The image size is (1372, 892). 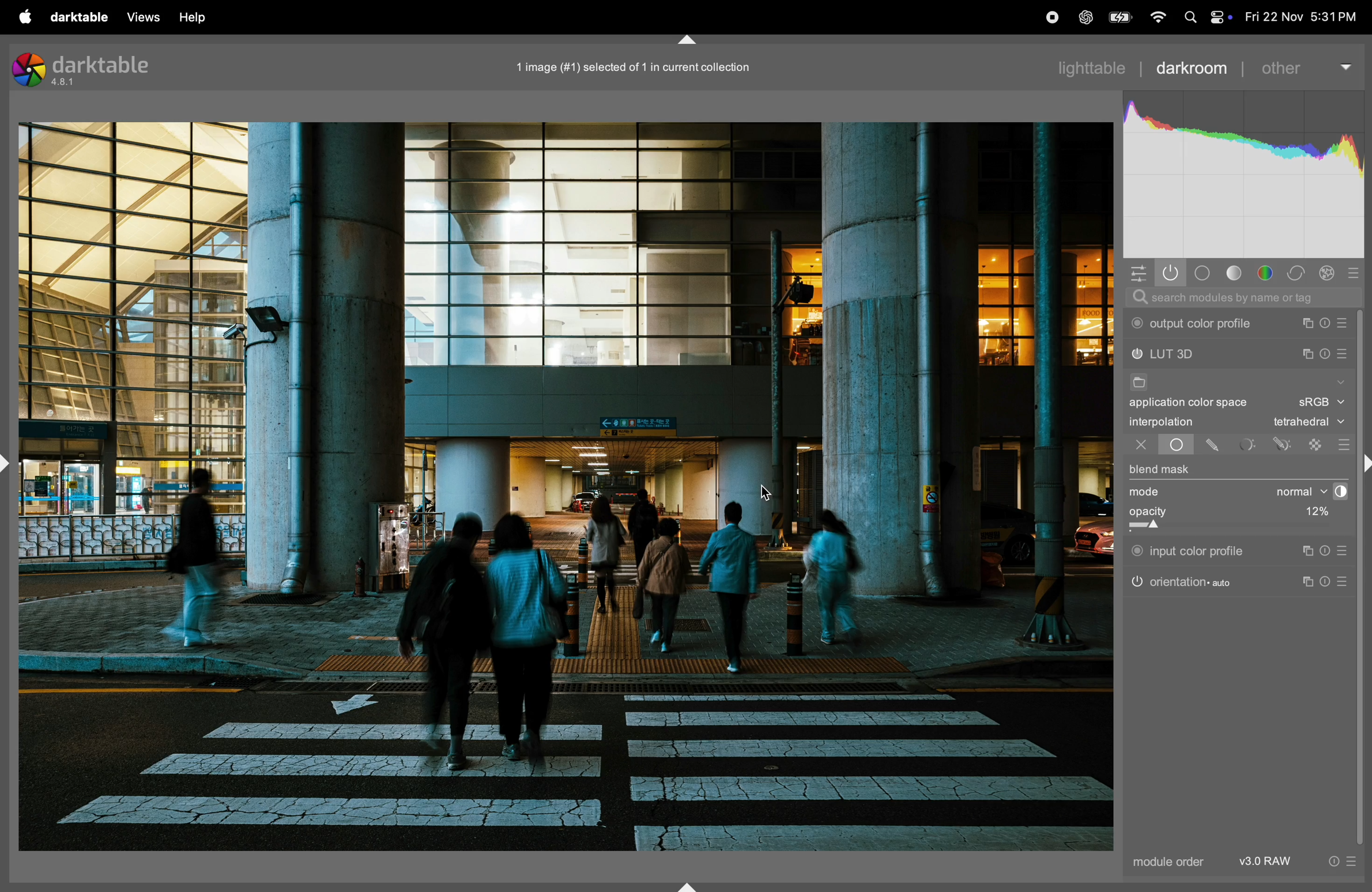 I want to click on output color profile, so click(x=1195, y=324).